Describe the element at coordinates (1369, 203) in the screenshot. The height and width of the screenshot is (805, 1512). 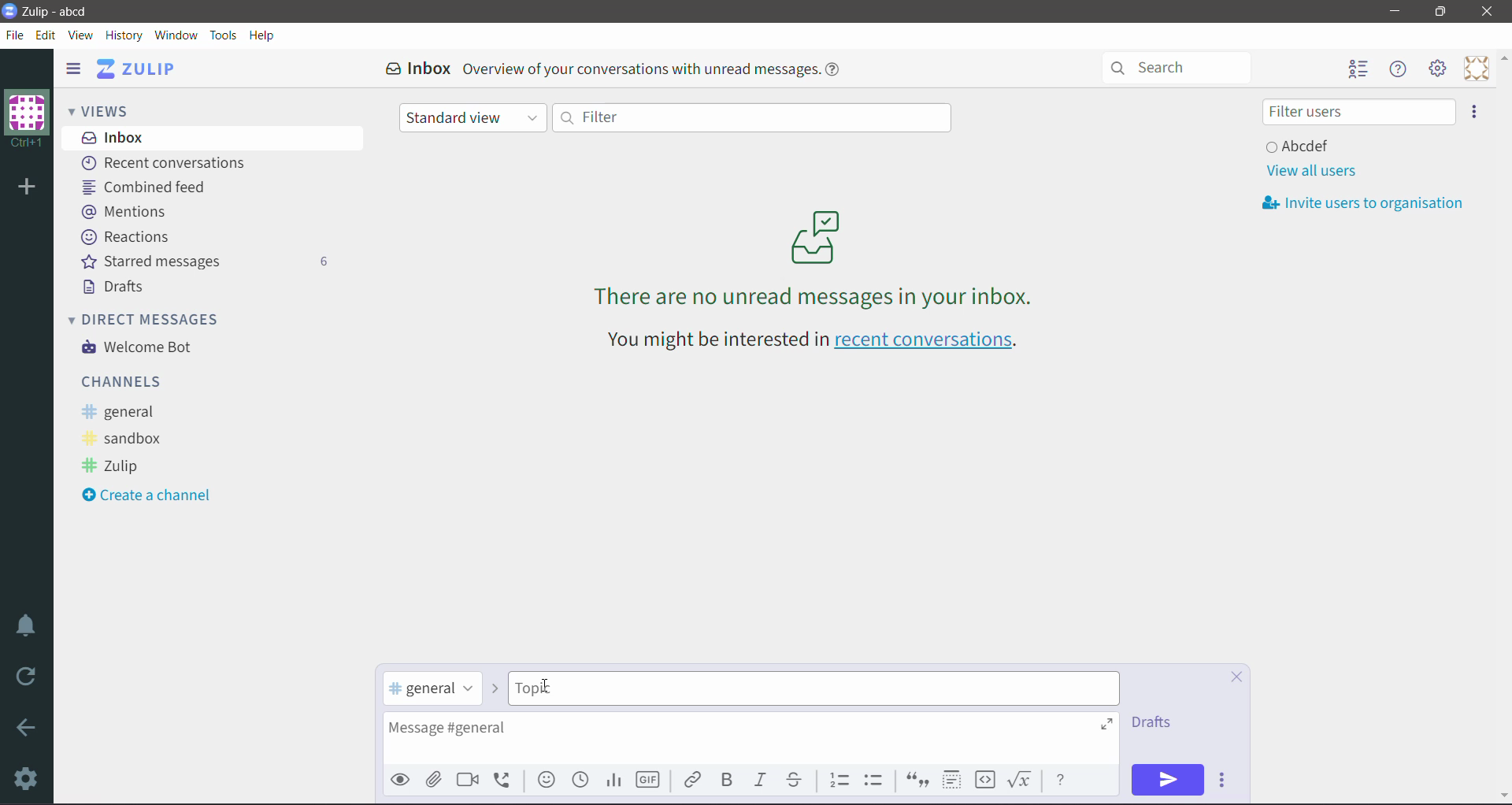
I see `Invite usersto organization` at that location.